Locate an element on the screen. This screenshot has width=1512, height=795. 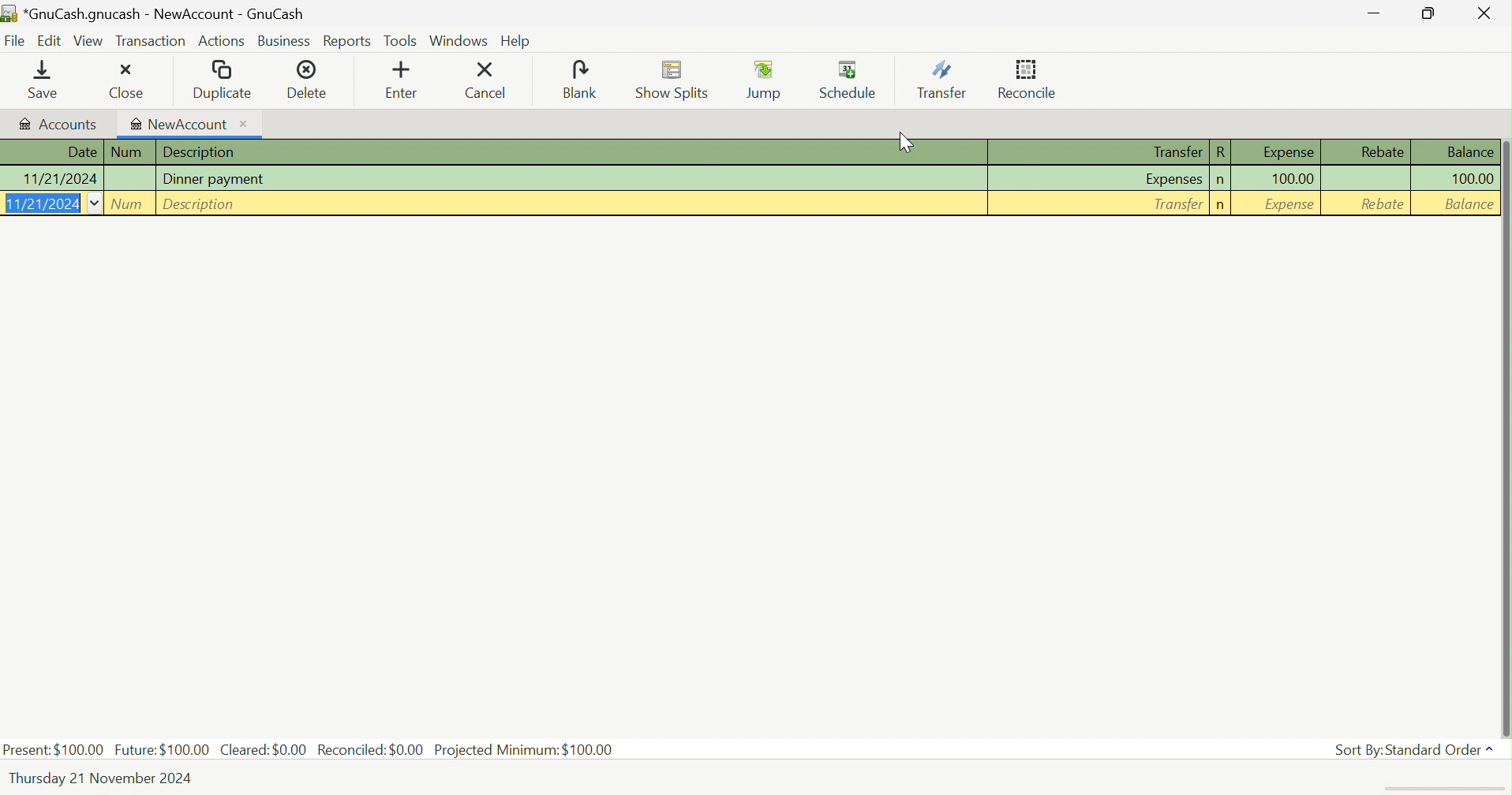
Save is located at coordinates (32, 79).